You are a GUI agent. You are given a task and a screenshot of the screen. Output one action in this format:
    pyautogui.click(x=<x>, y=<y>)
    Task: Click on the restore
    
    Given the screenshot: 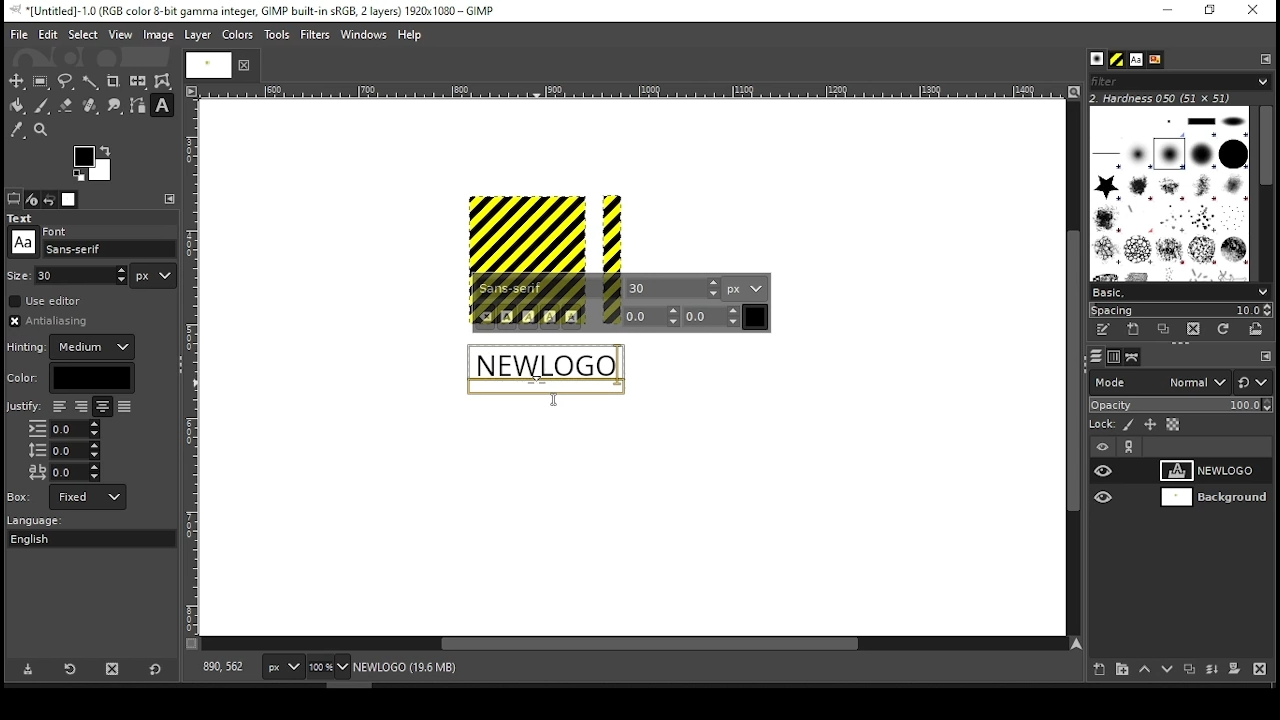 What is the action you would take?
    pyautogui.click(x=1212, y=11)
    